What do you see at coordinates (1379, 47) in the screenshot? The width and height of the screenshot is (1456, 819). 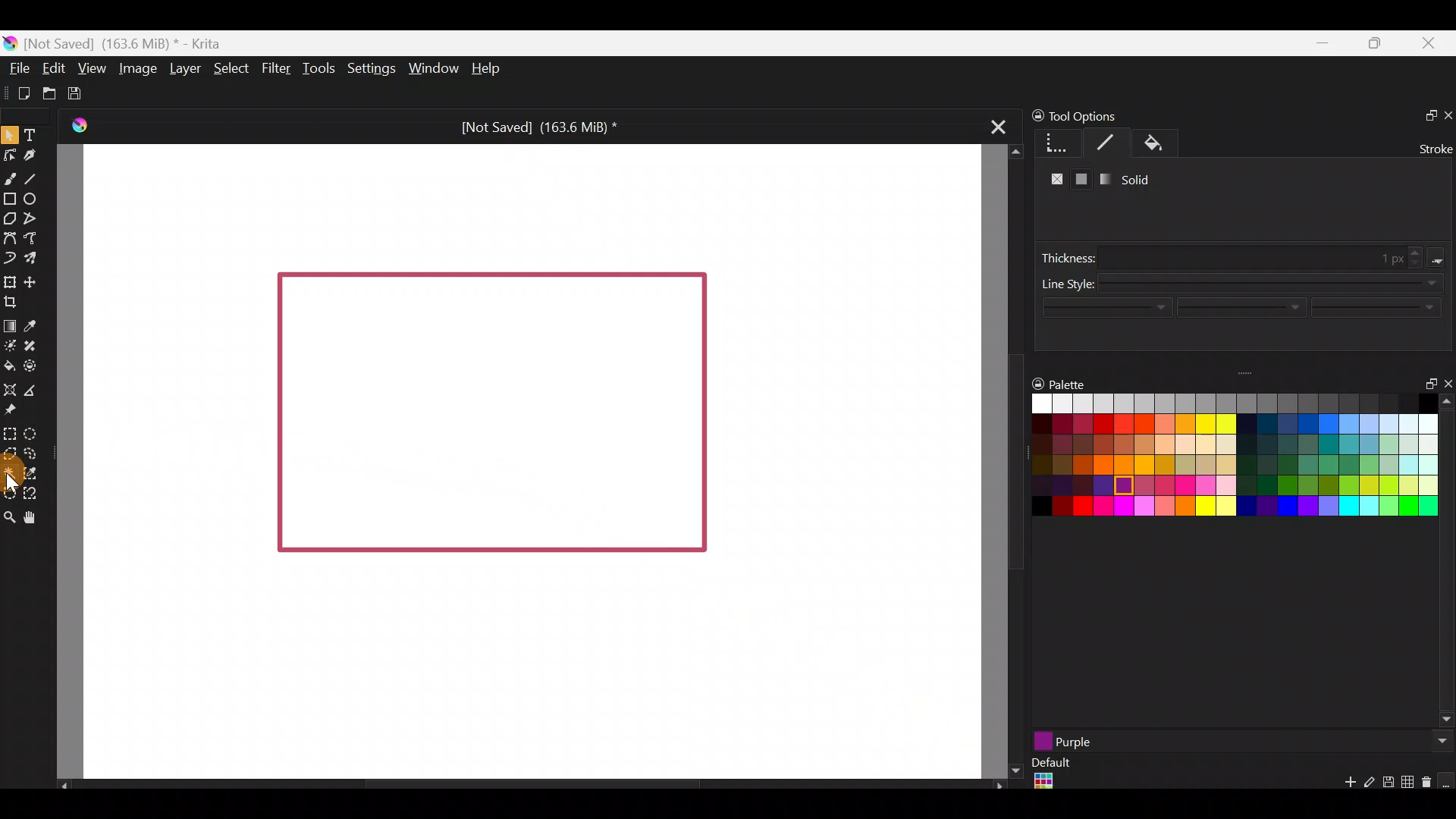 I see `Maximize` at bounding box center [1379, 47].